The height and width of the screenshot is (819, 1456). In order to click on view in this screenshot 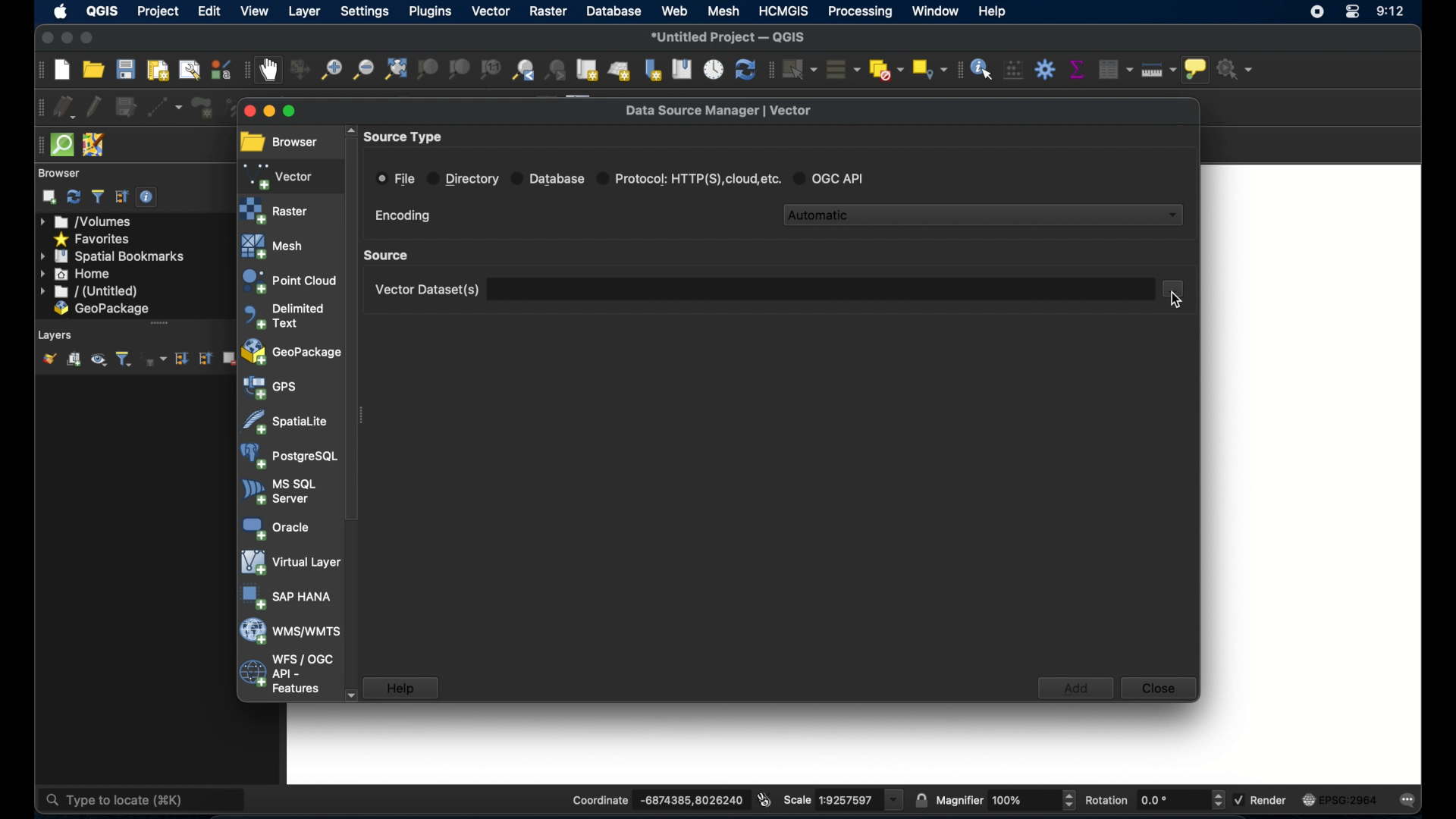, I will do `click(256, 11)`.